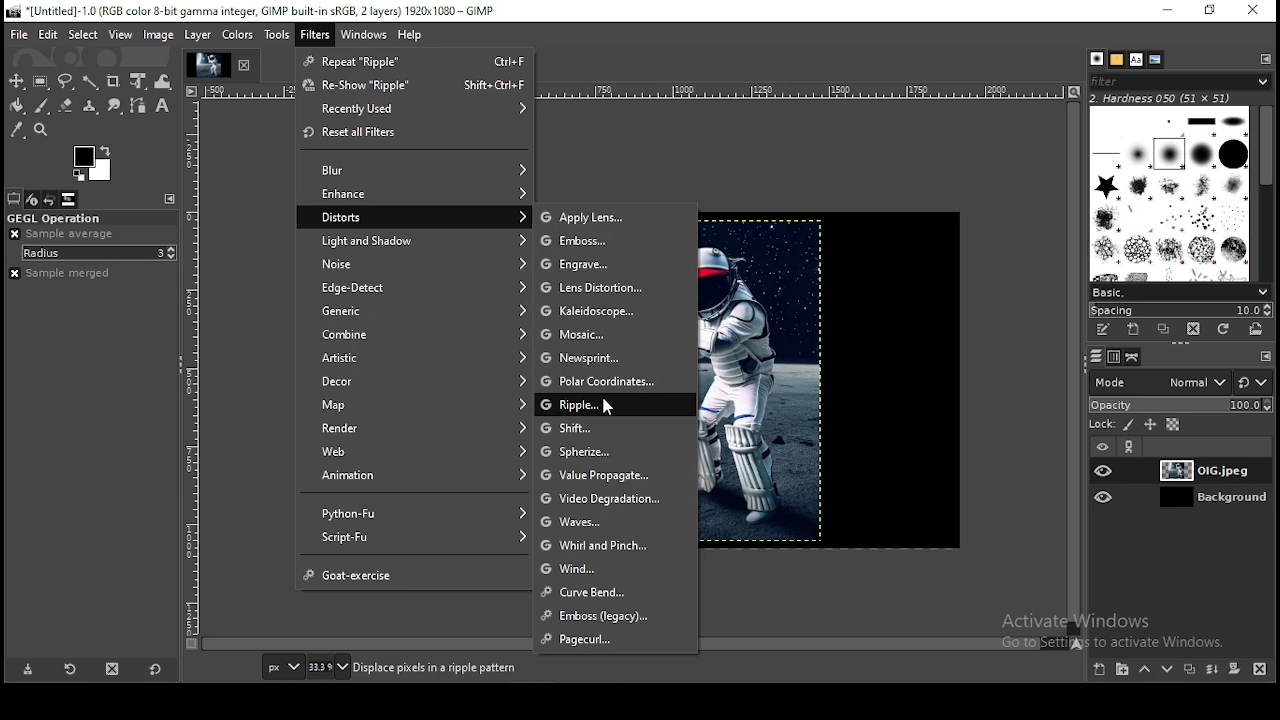  Describe the element at coordinates (91, 82) in the screenshot. I see `` at that location.